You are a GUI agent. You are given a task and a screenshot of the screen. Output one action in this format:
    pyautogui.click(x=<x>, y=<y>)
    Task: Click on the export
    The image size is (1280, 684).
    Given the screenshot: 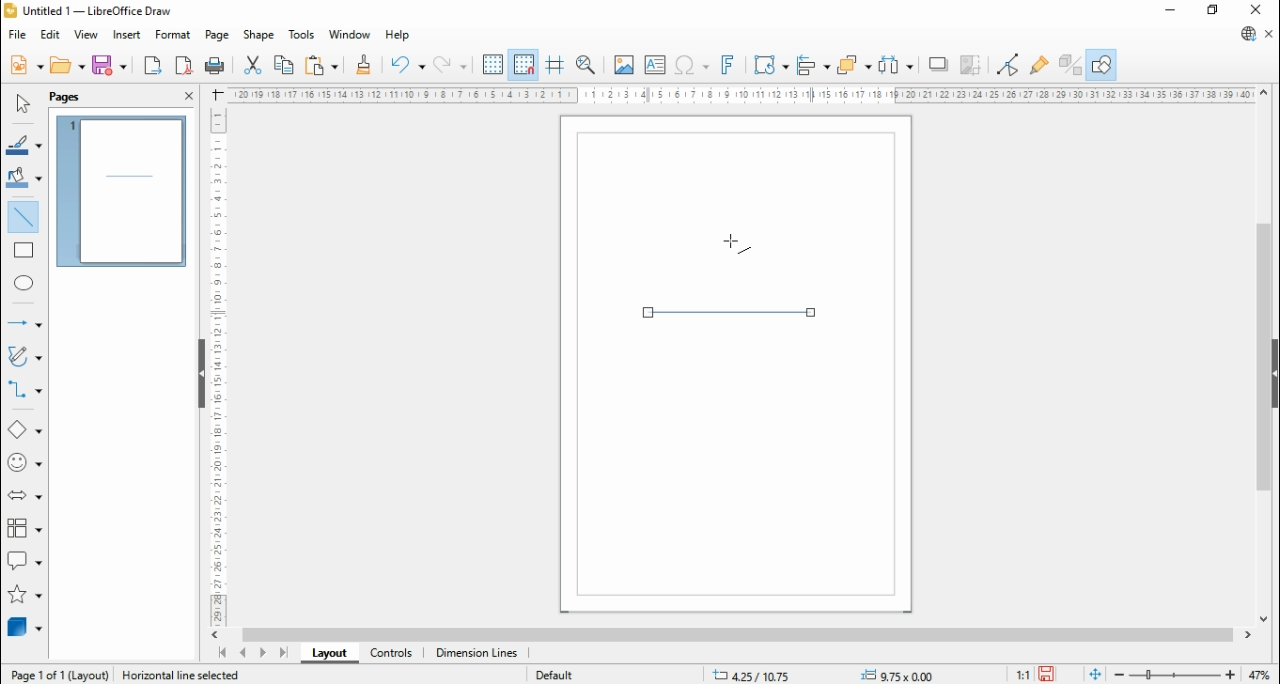 What is the action you would take?
    pyautogui.click(x=152, y=65)
    